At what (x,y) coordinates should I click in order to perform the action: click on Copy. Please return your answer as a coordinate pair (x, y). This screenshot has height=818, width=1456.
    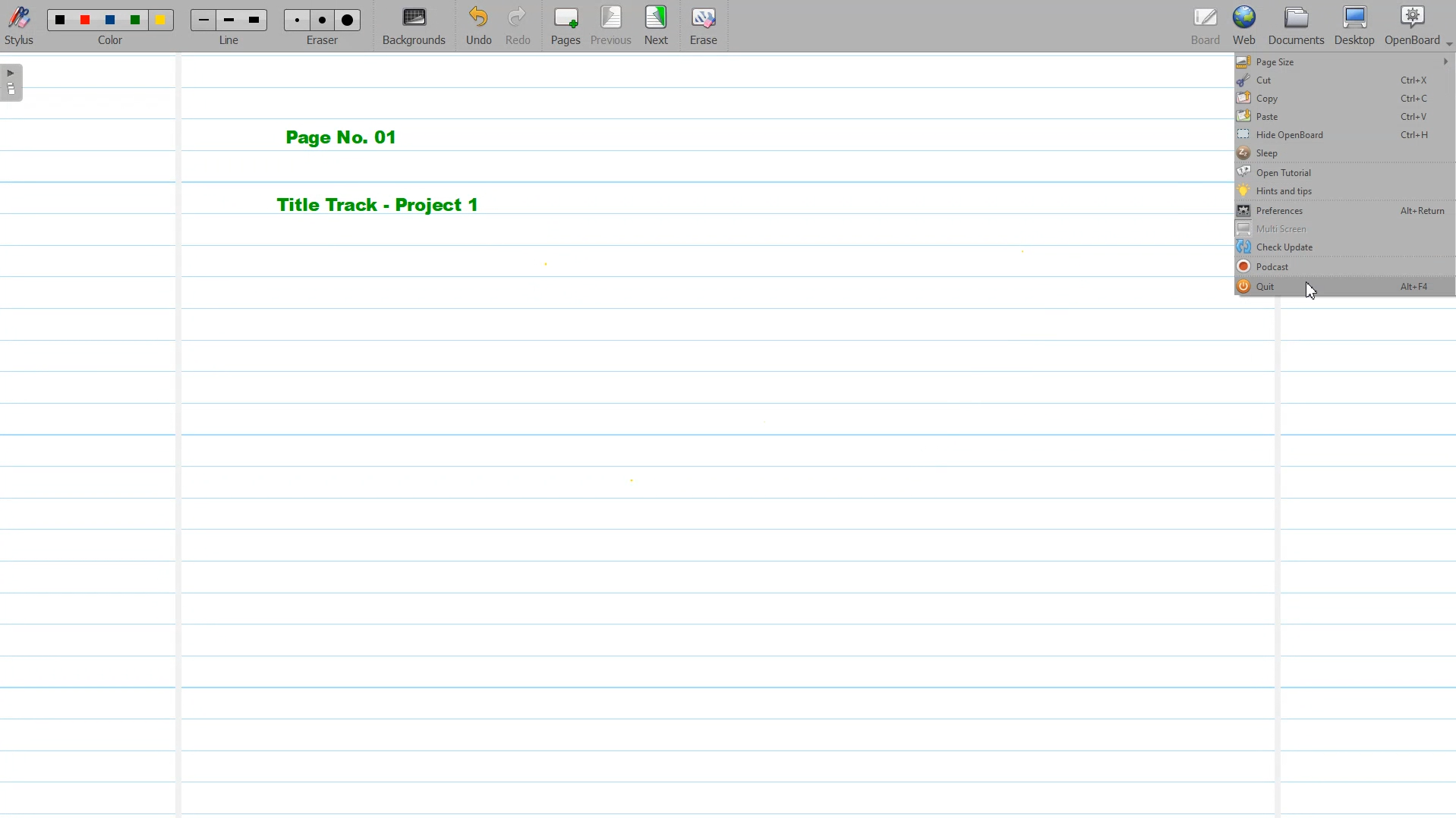
    Looking at the image, I should click on (1345, 98).